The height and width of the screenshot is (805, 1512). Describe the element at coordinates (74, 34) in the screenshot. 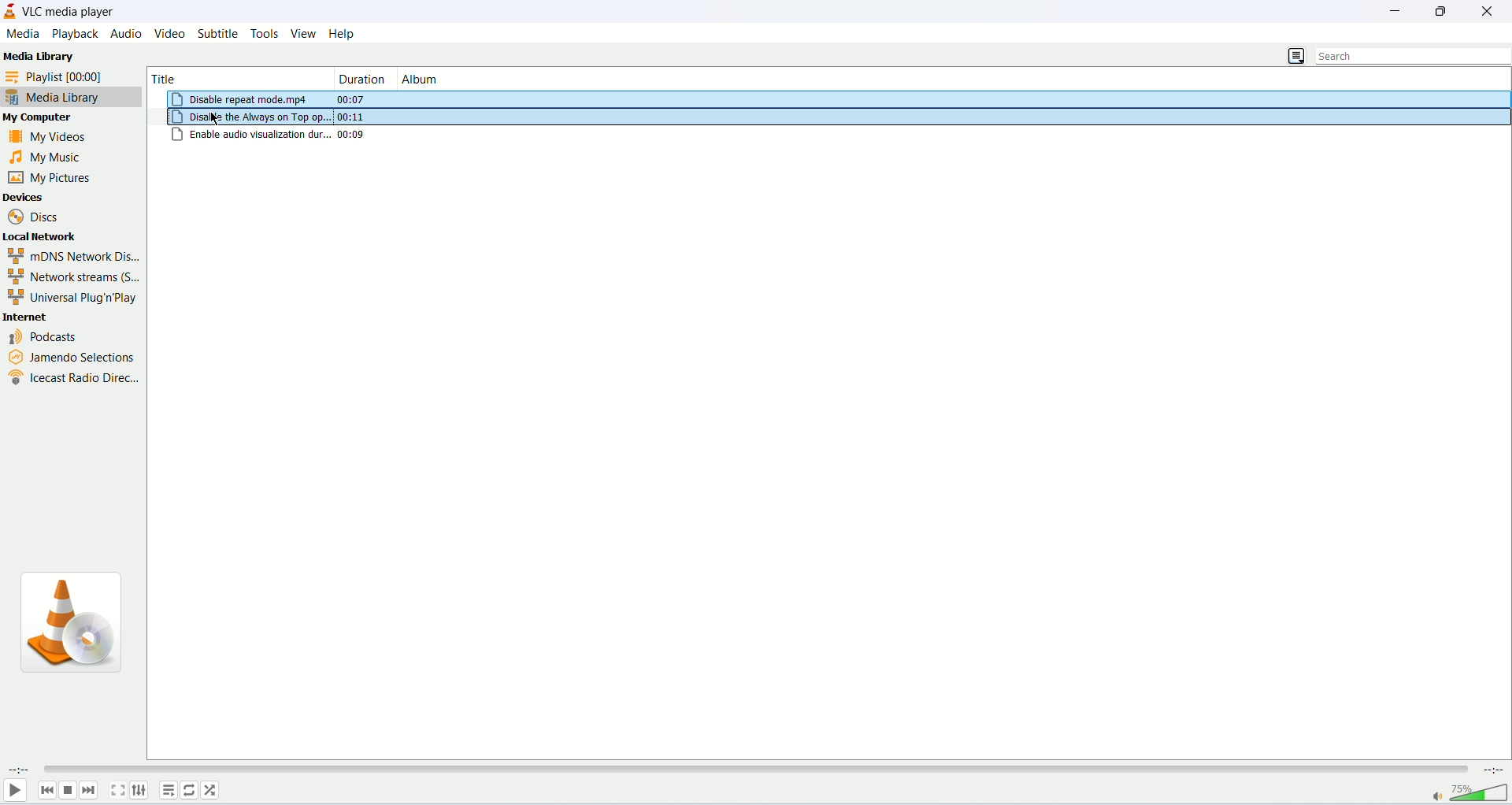

I see `playback` at that location.